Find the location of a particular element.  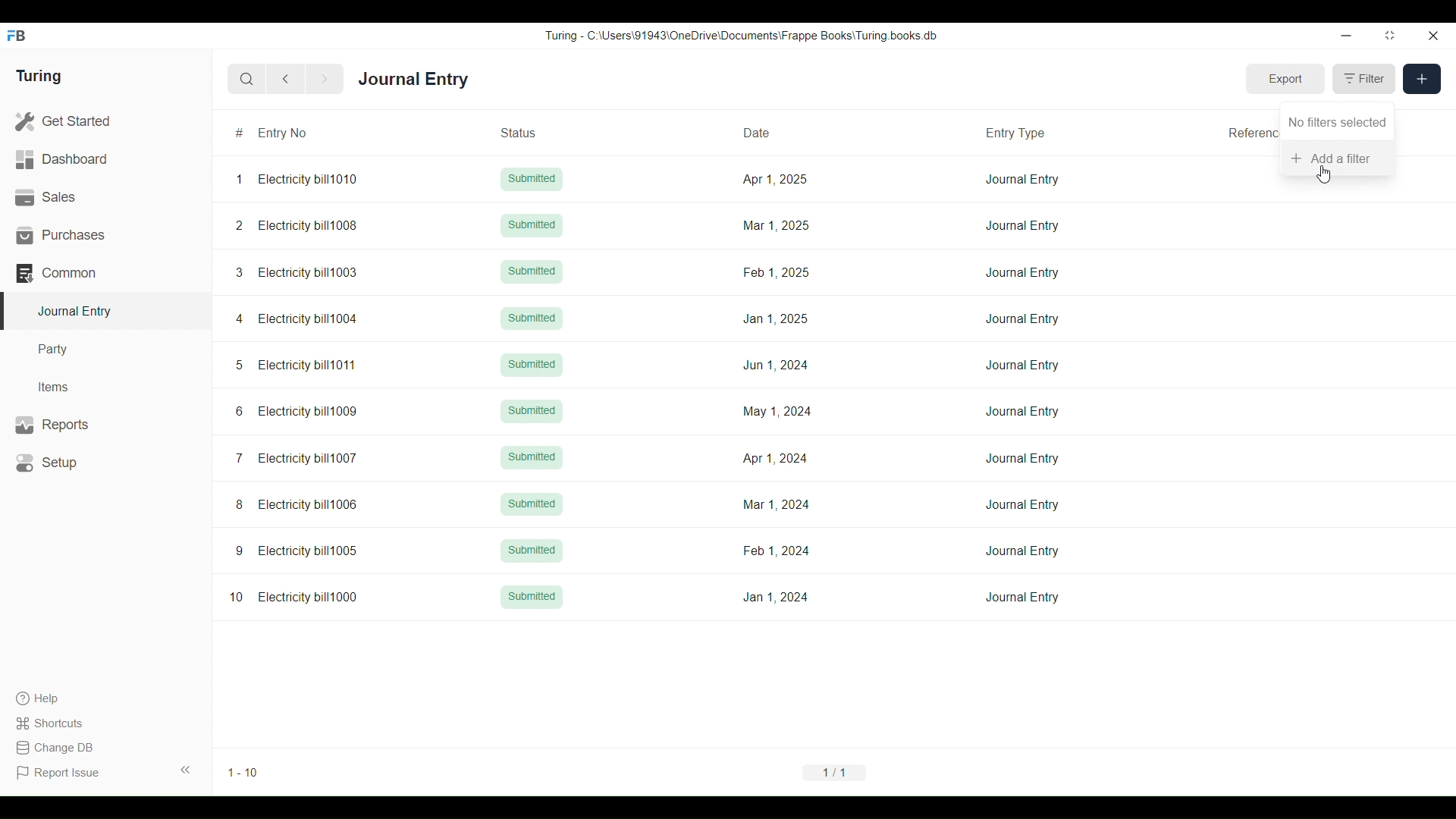

2 Electricity bill1008 is located at coordinates (297, 225).